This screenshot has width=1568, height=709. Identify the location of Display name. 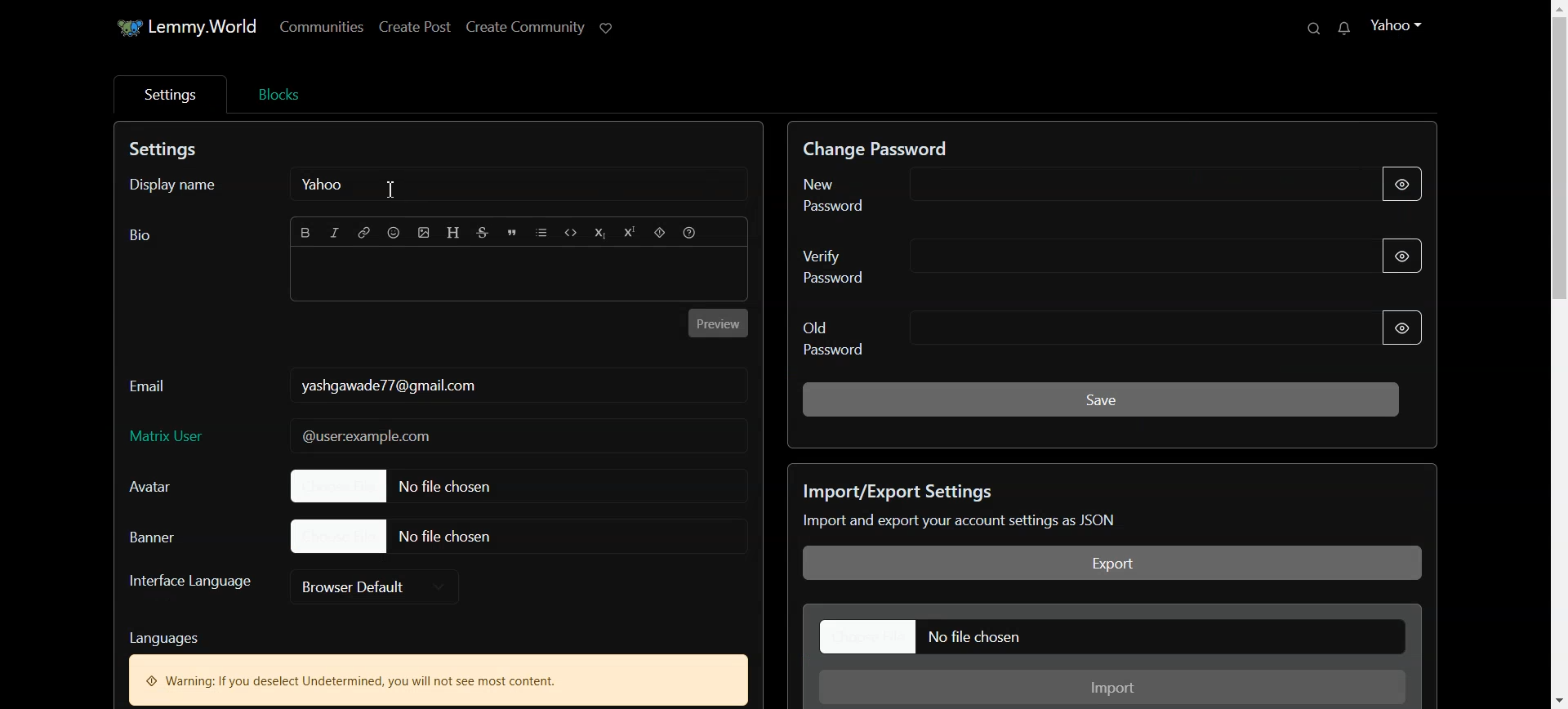
(182, 187).